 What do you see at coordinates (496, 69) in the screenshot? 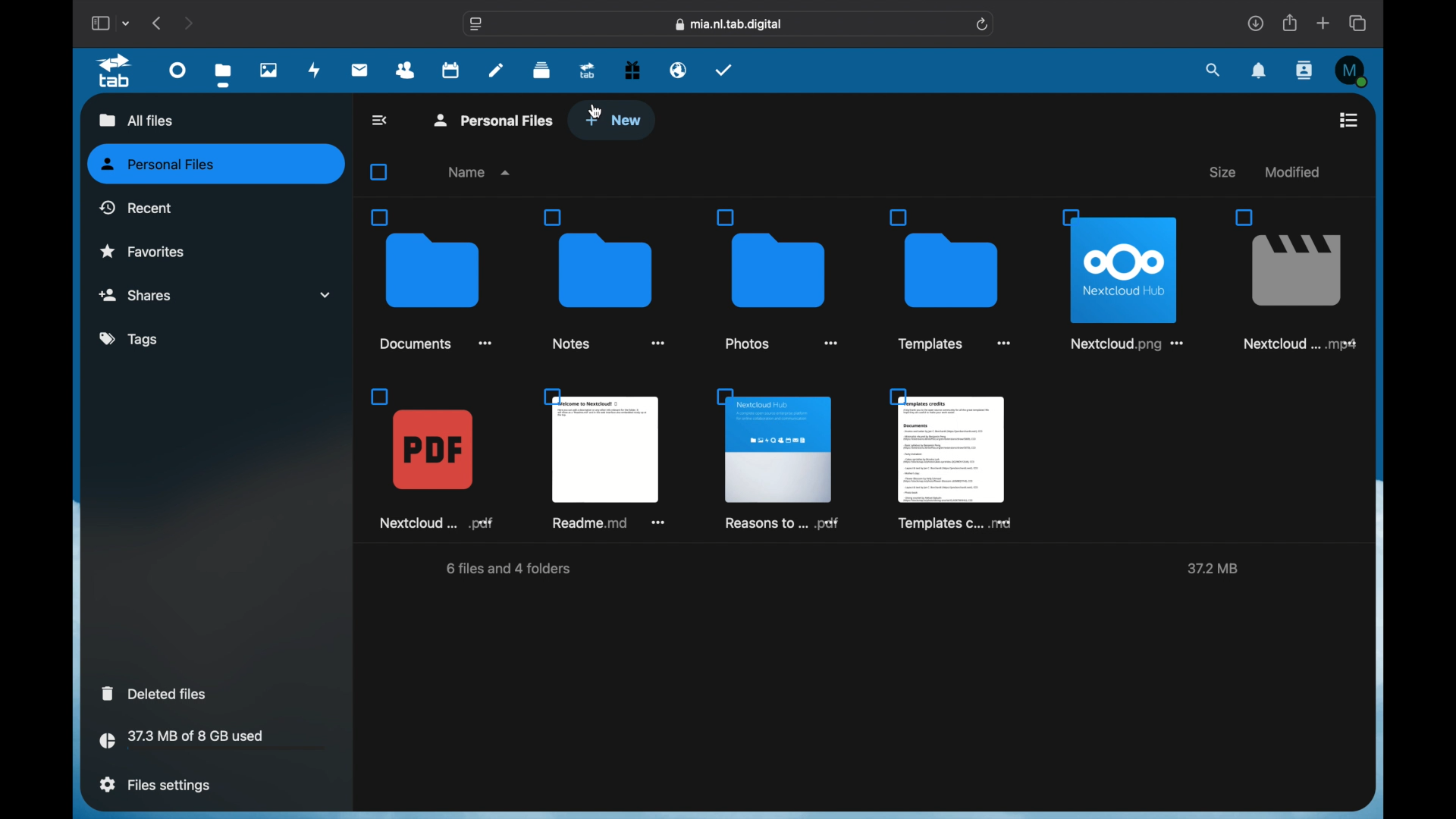
I see `notes` at bounding box center [496, 69].